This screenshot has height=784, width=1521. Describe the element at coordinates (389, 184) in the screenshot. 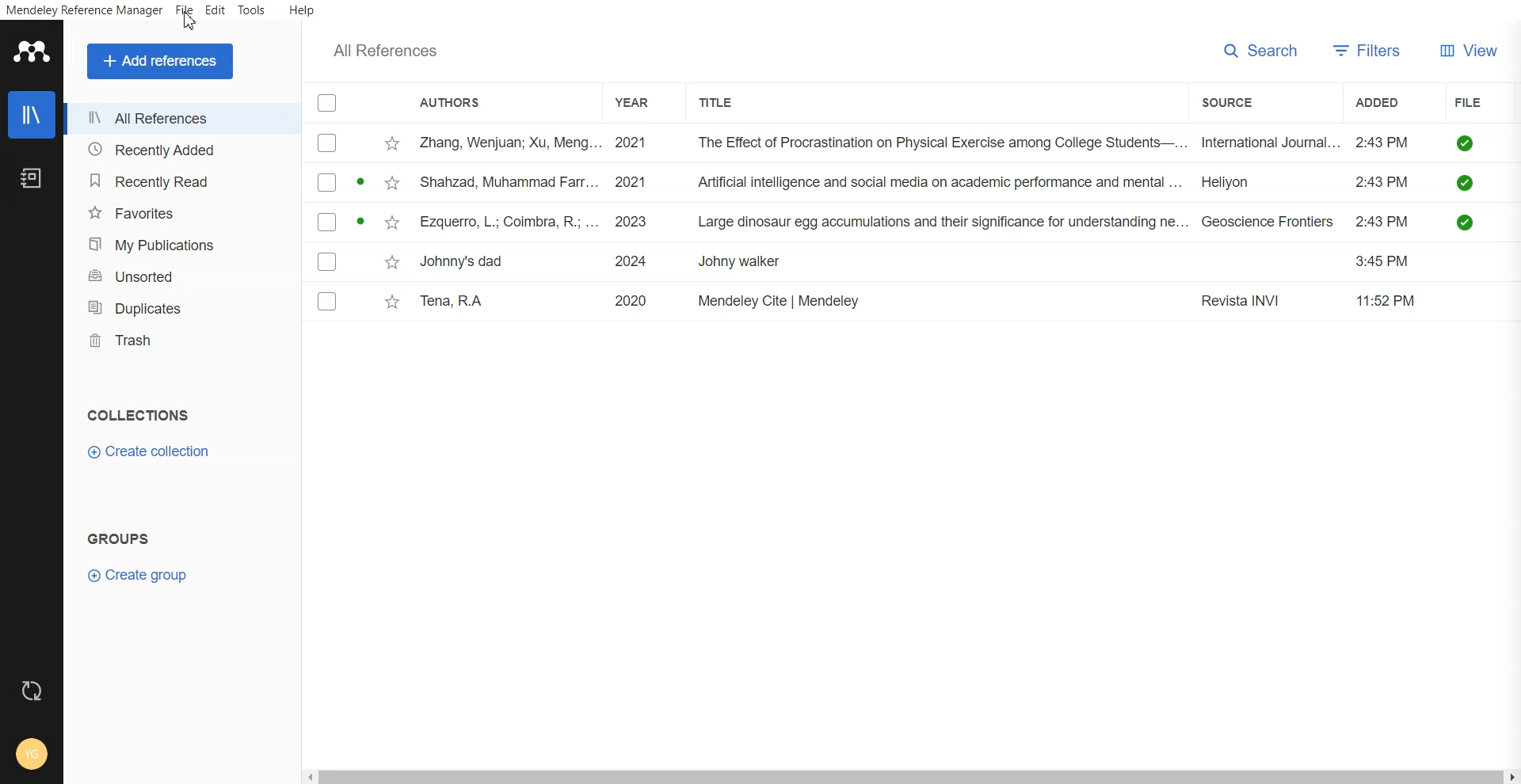

I see `star` at that location.